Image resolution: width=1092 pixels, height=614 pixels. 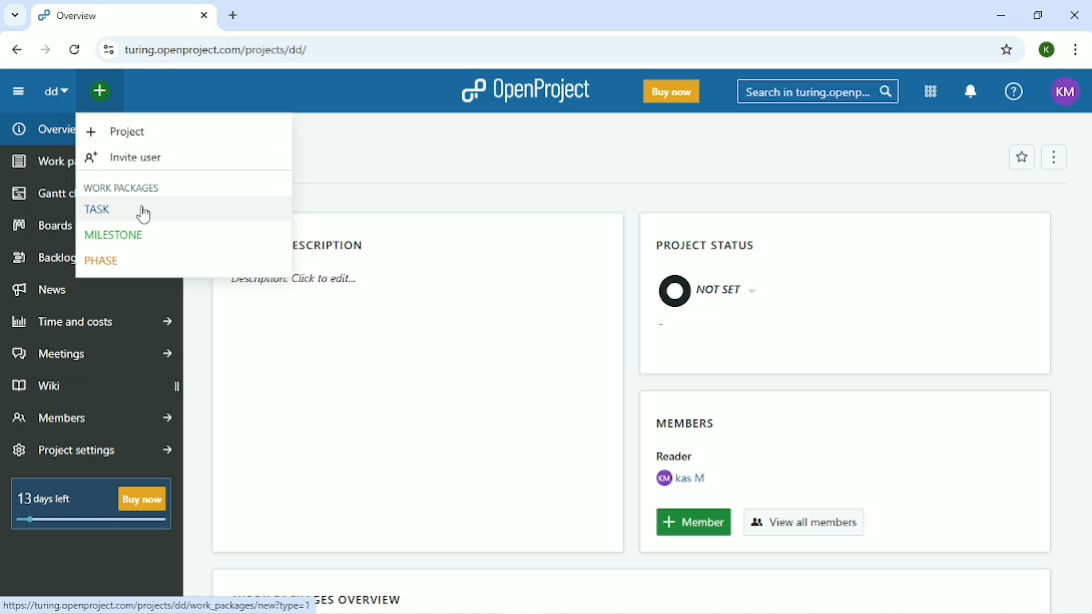 I want to click on Project, so click(x=115, y=129).